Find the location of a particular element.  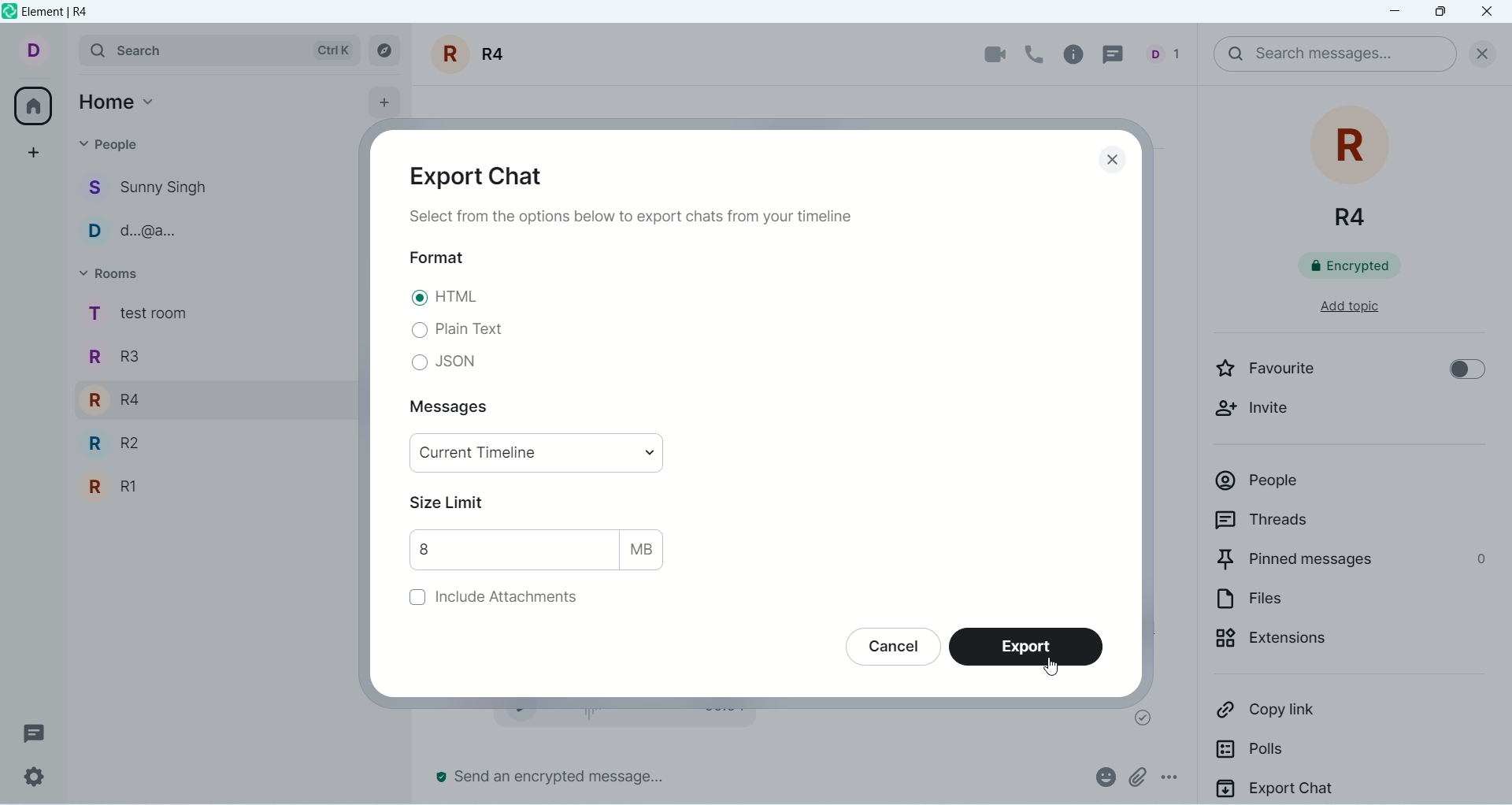

add topic is located at coordinates (1335, 310).